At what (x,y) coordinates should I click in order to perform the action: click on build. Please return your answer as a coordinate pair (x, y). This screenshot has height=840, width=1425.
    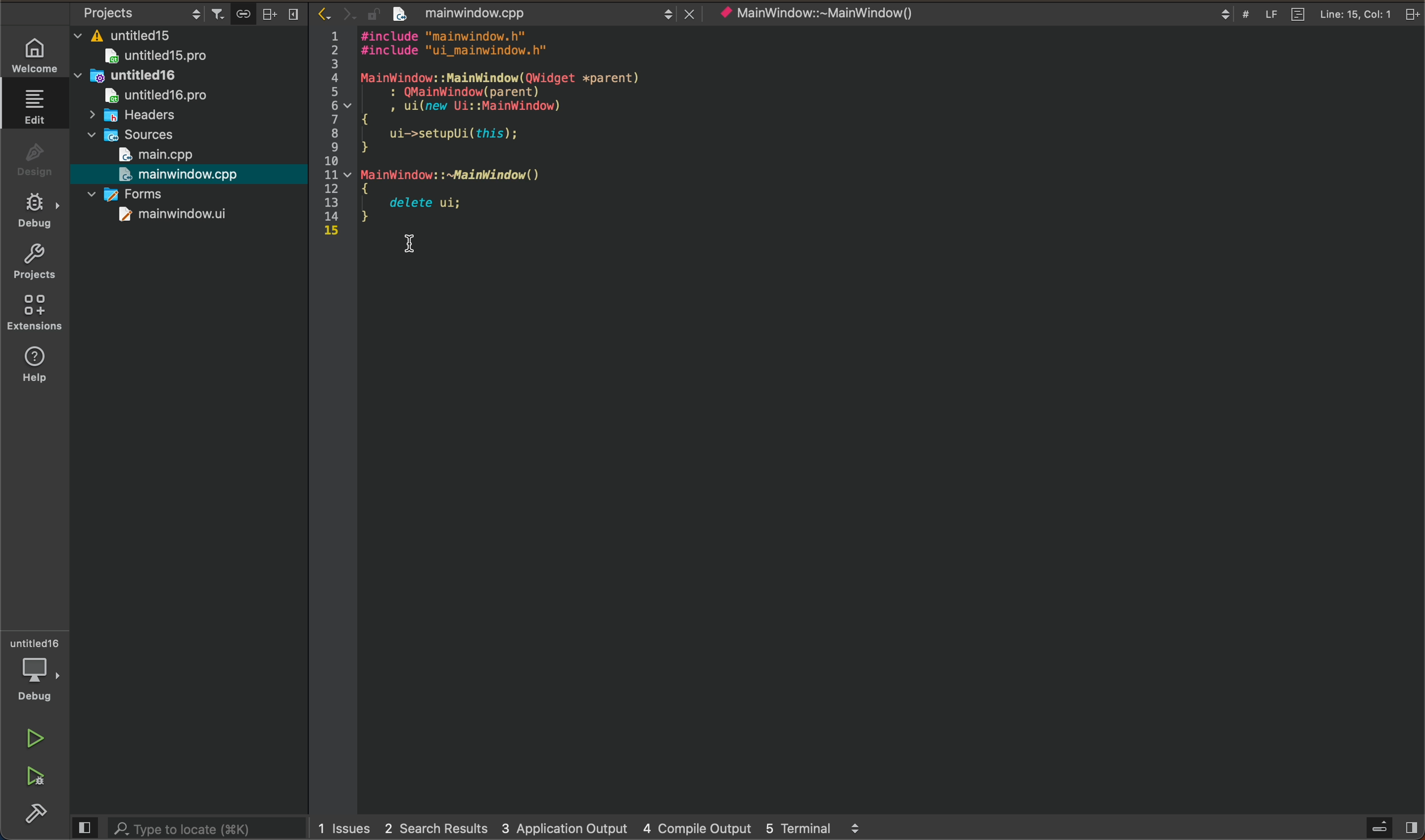
    Looking at the image, I should click on (33, 815).